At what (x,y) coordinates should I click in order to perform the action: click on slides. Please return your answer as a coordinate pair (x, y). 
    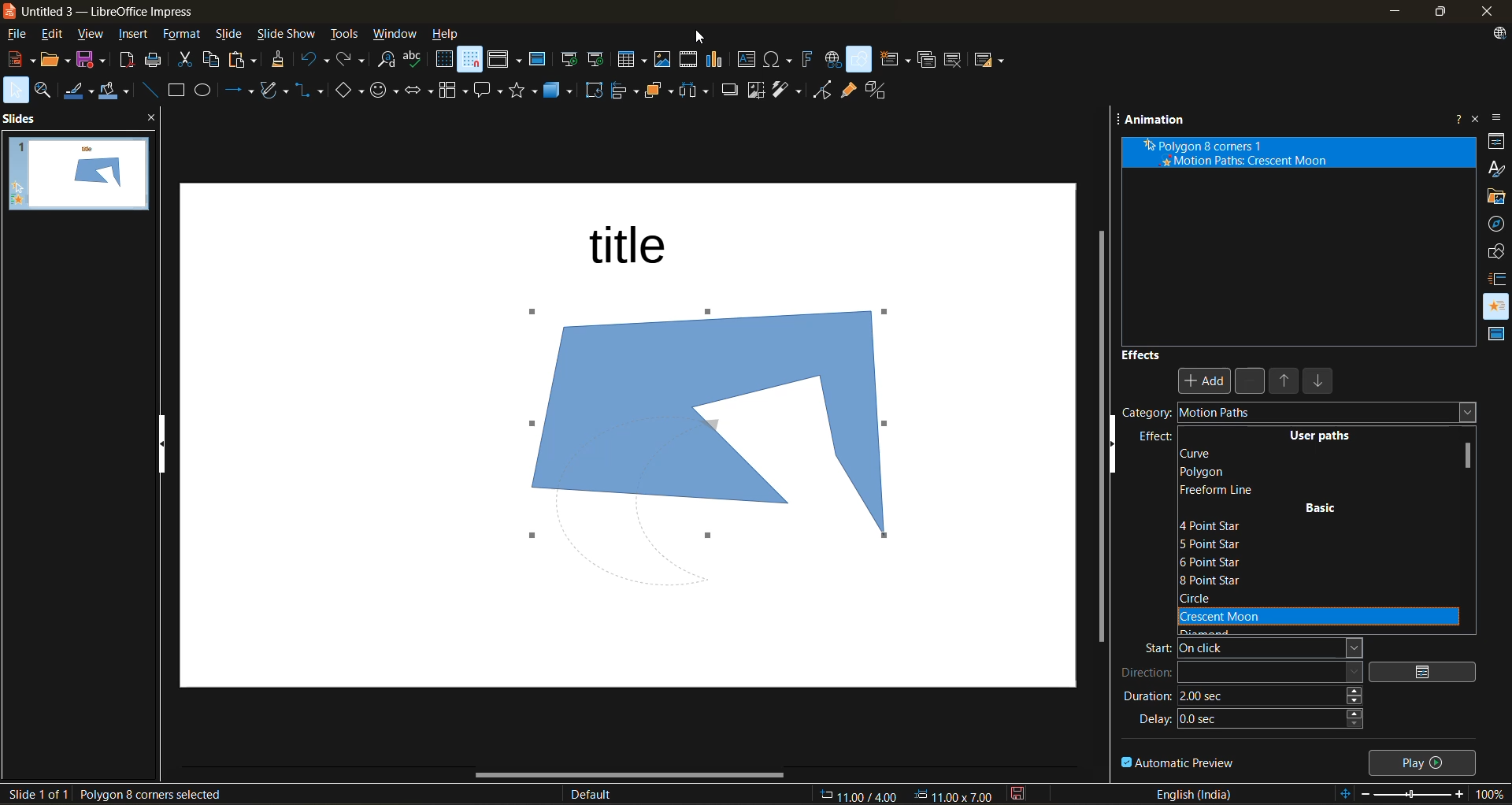
    Looking at the image, I should click on (87, 173).